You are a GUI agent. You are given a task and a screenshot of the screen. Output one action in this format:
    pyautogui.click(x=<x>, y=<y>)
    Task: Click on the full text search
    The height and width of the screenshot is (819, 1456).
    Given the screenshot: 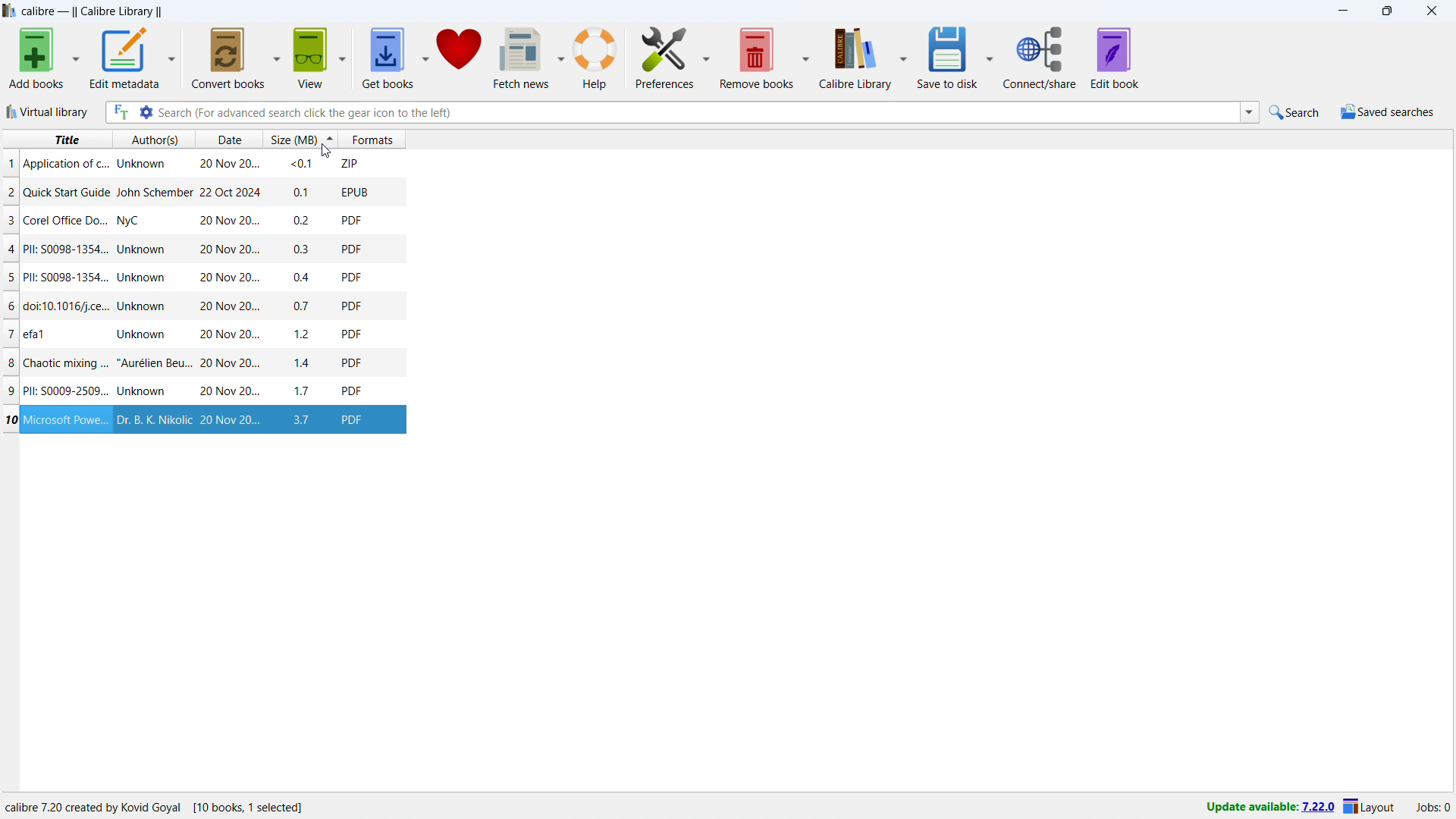 What is the action you would take?
    pyautogui.click(x=118, y=112)
    